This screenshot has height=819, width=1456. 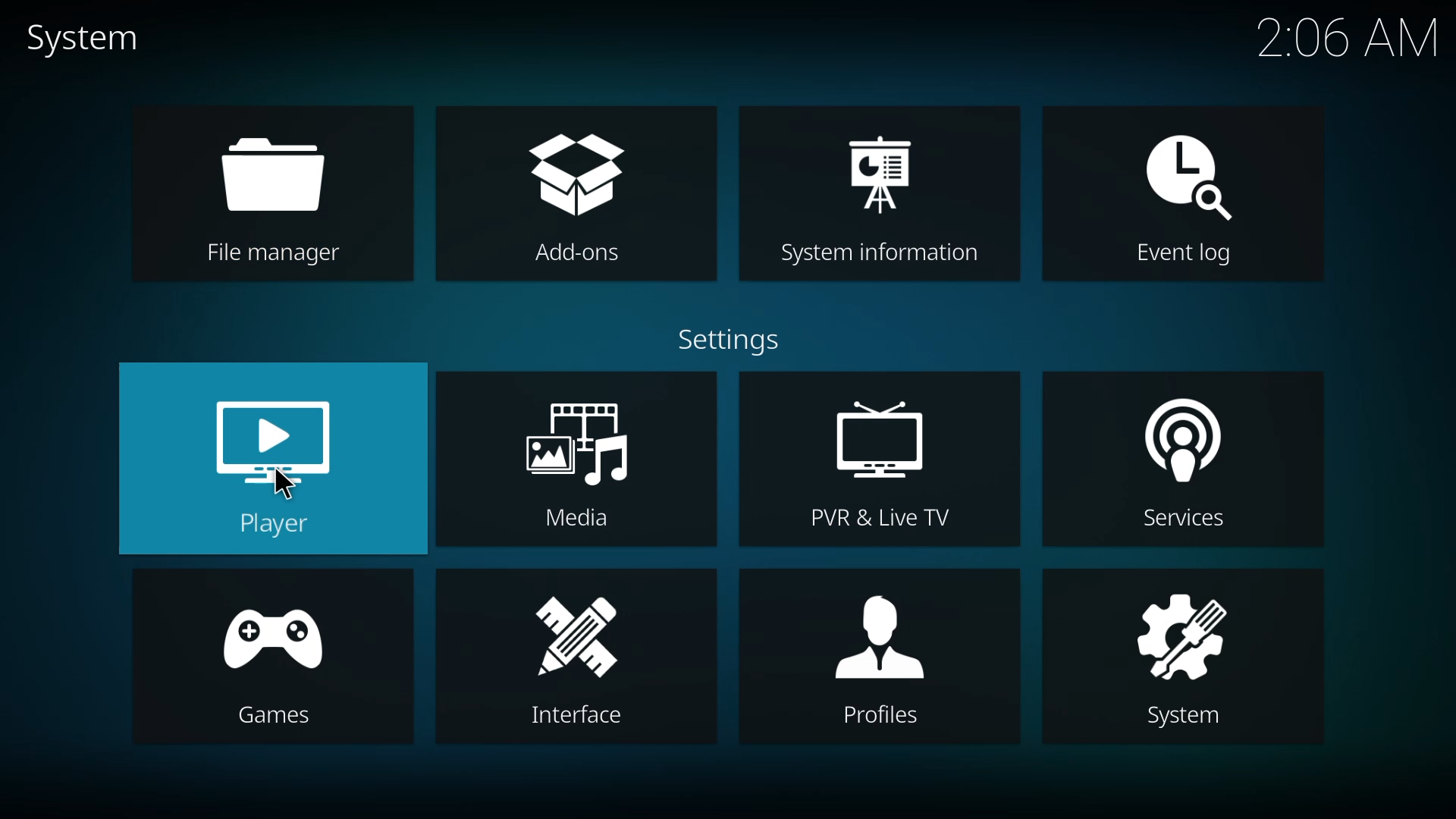 What do you see at coordinates (276, 460) in the screenshot?
I see `player` at bounding box center [276, 460].